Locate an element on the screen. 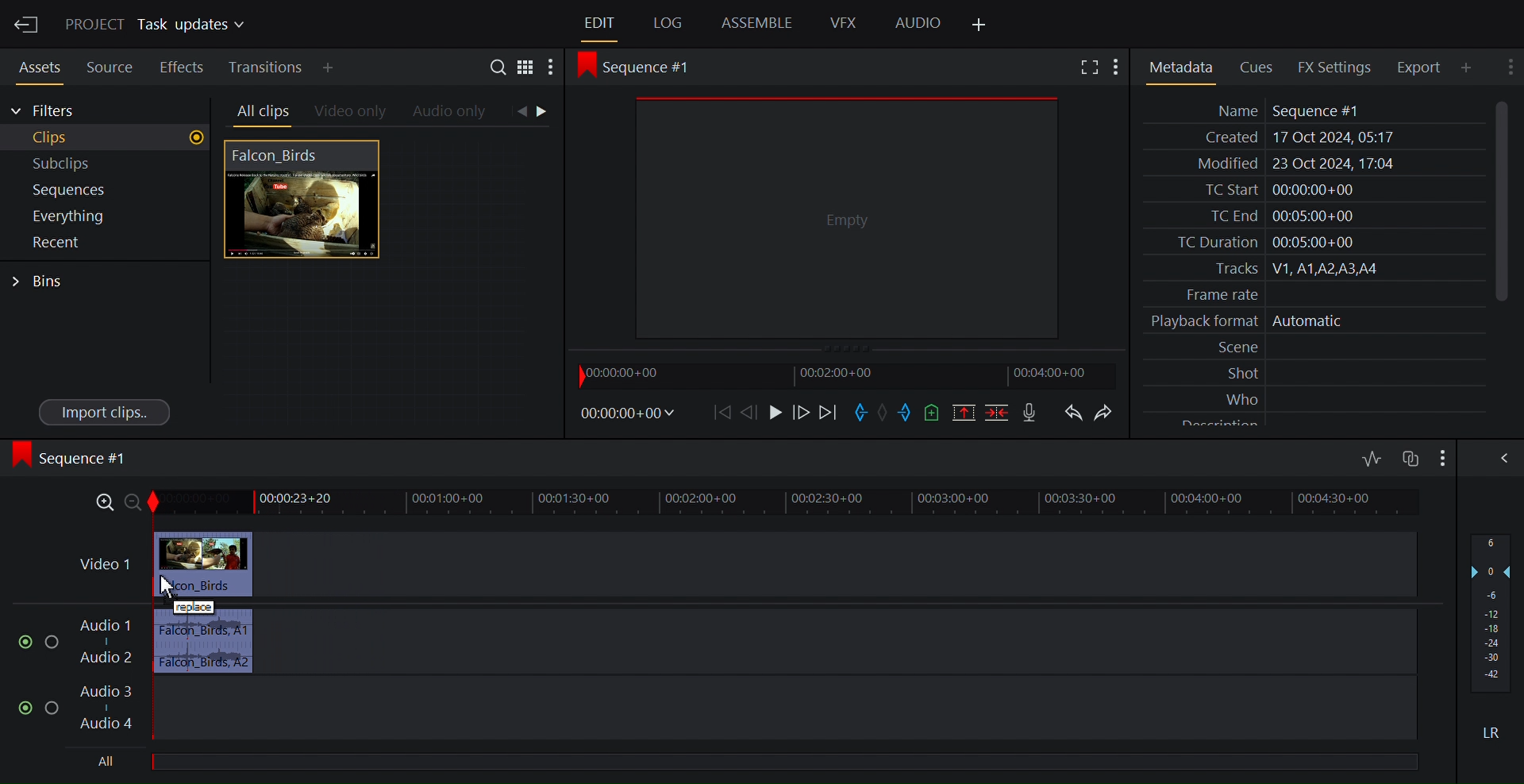 The image size is (1524, 784). Nudge one frame forward is located at coordinates (754, 413).